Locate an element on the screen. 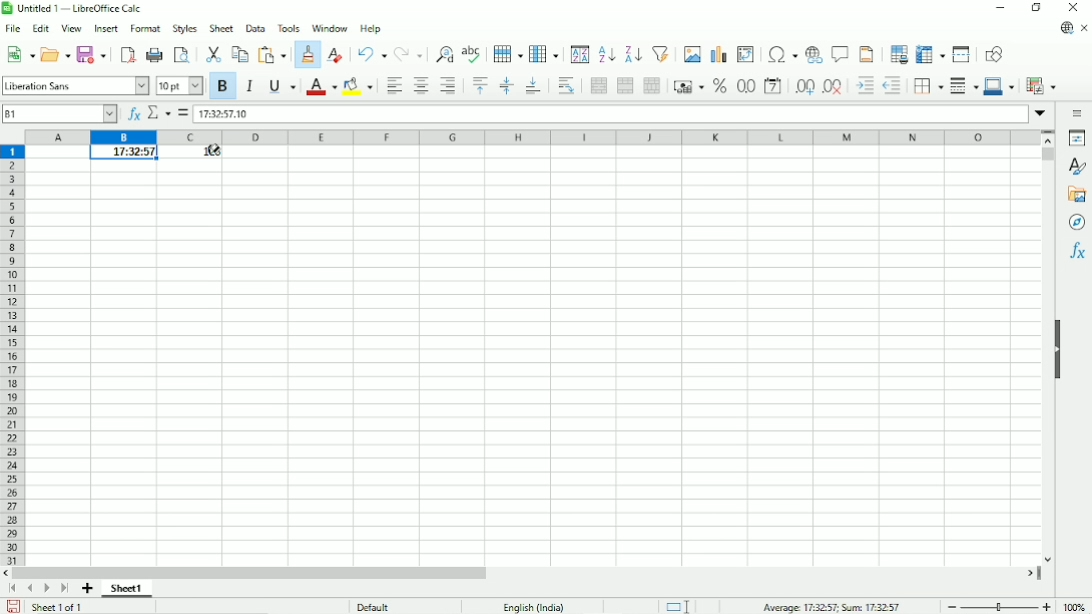 Image resolution: width=1092 pixels, height=614 pixels. New is located at coordinates (21, 56).